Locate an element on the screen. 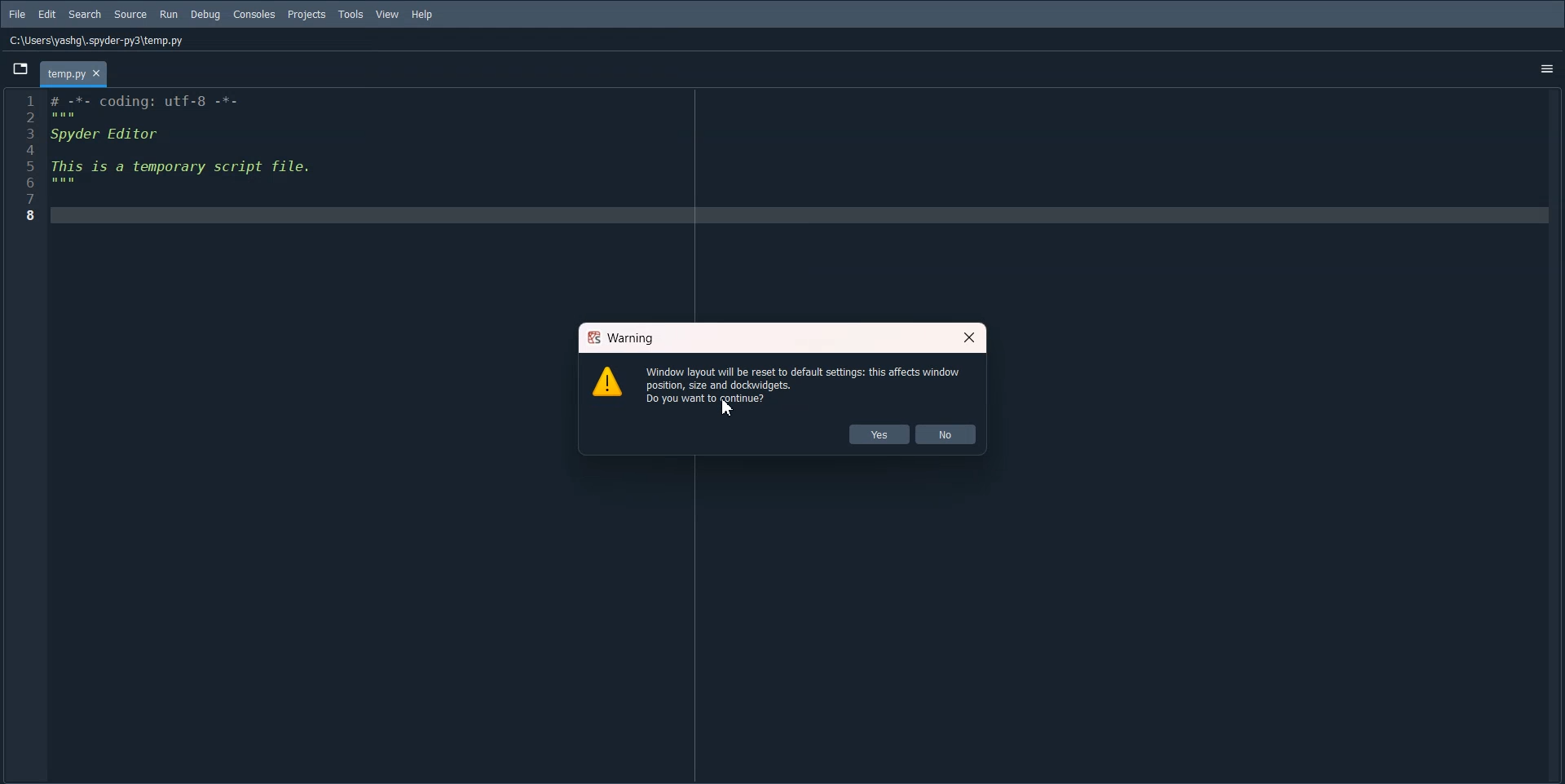  Projects is located at coordinates (307, 15).